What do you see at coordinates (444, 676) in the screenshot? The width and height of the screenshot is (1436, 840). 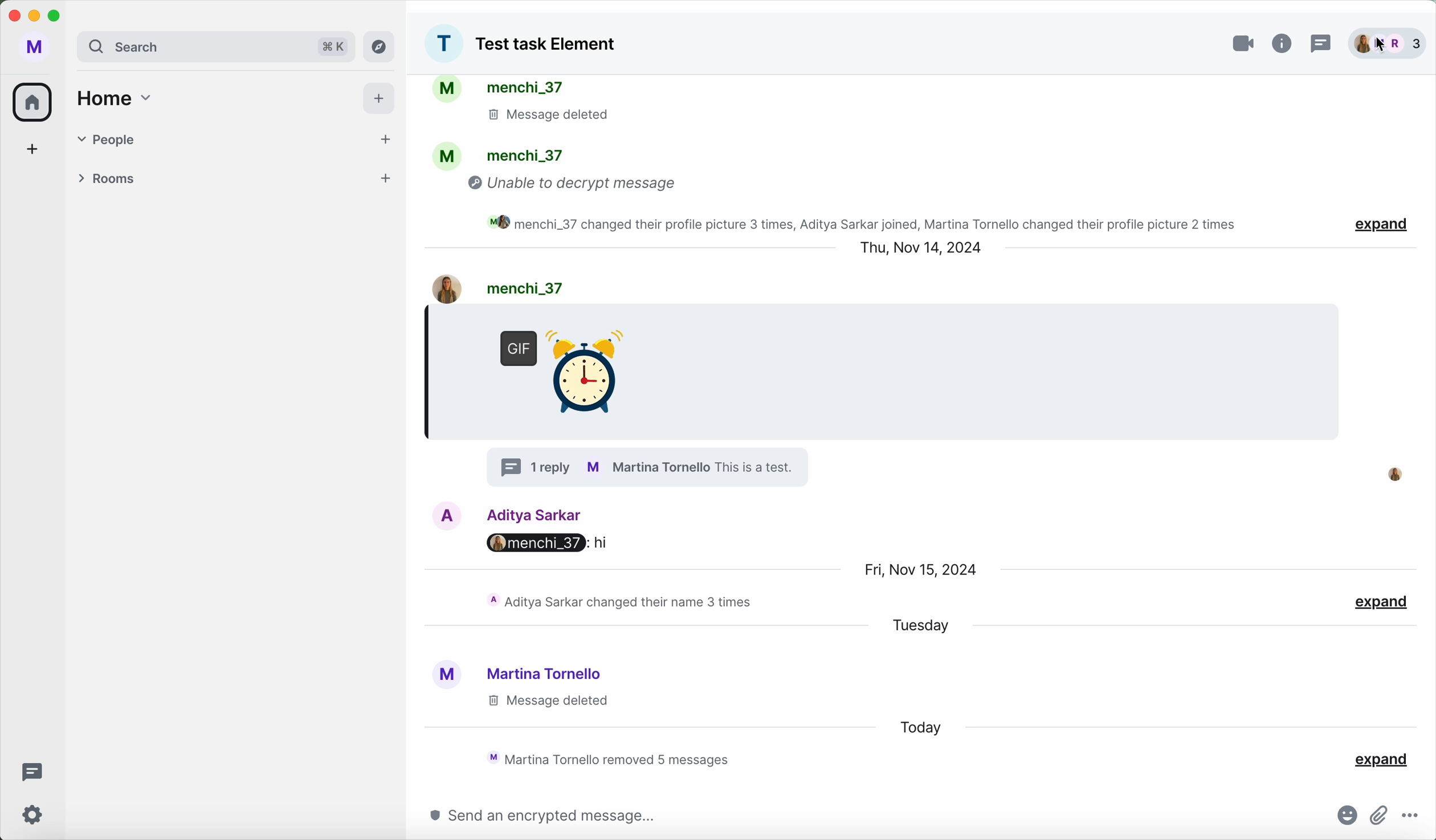 I see `profile picture` at bounding box center [444, 676].